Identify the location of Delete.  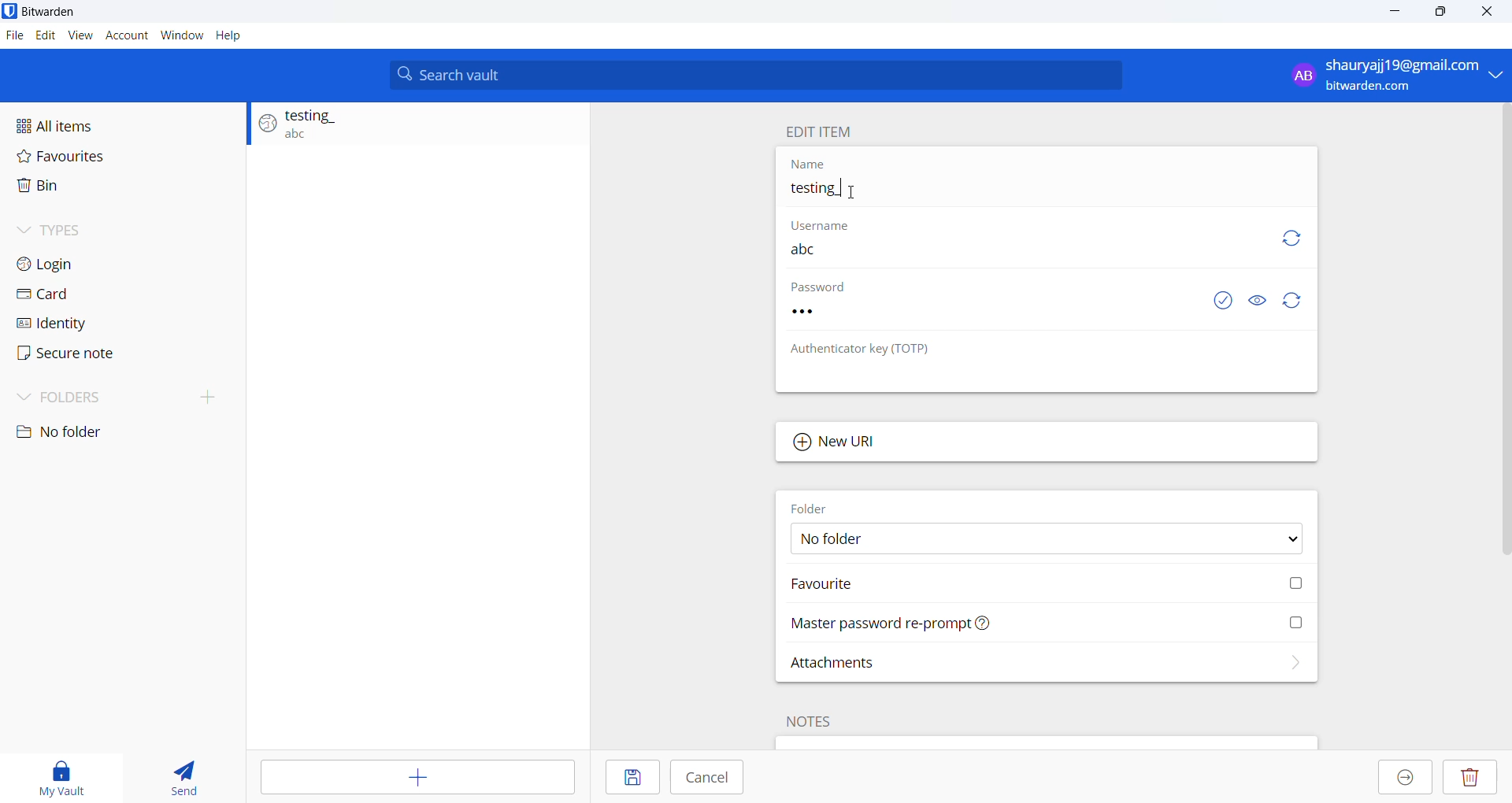
(1469, 779).